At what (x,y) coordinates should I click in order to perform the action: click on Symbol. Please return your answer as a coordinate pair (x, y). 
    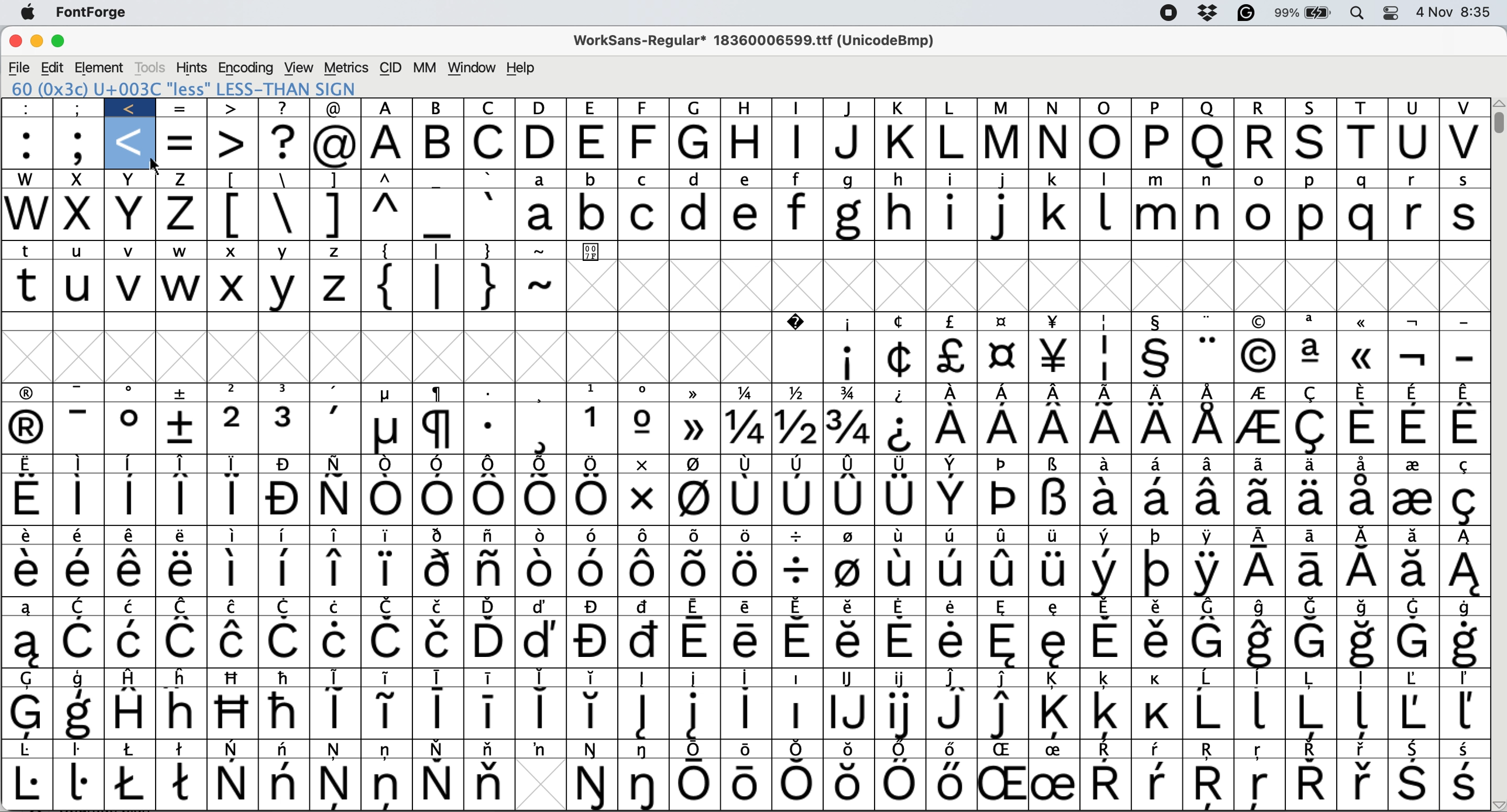
    Looking at the image, I should click on (1210, 573).